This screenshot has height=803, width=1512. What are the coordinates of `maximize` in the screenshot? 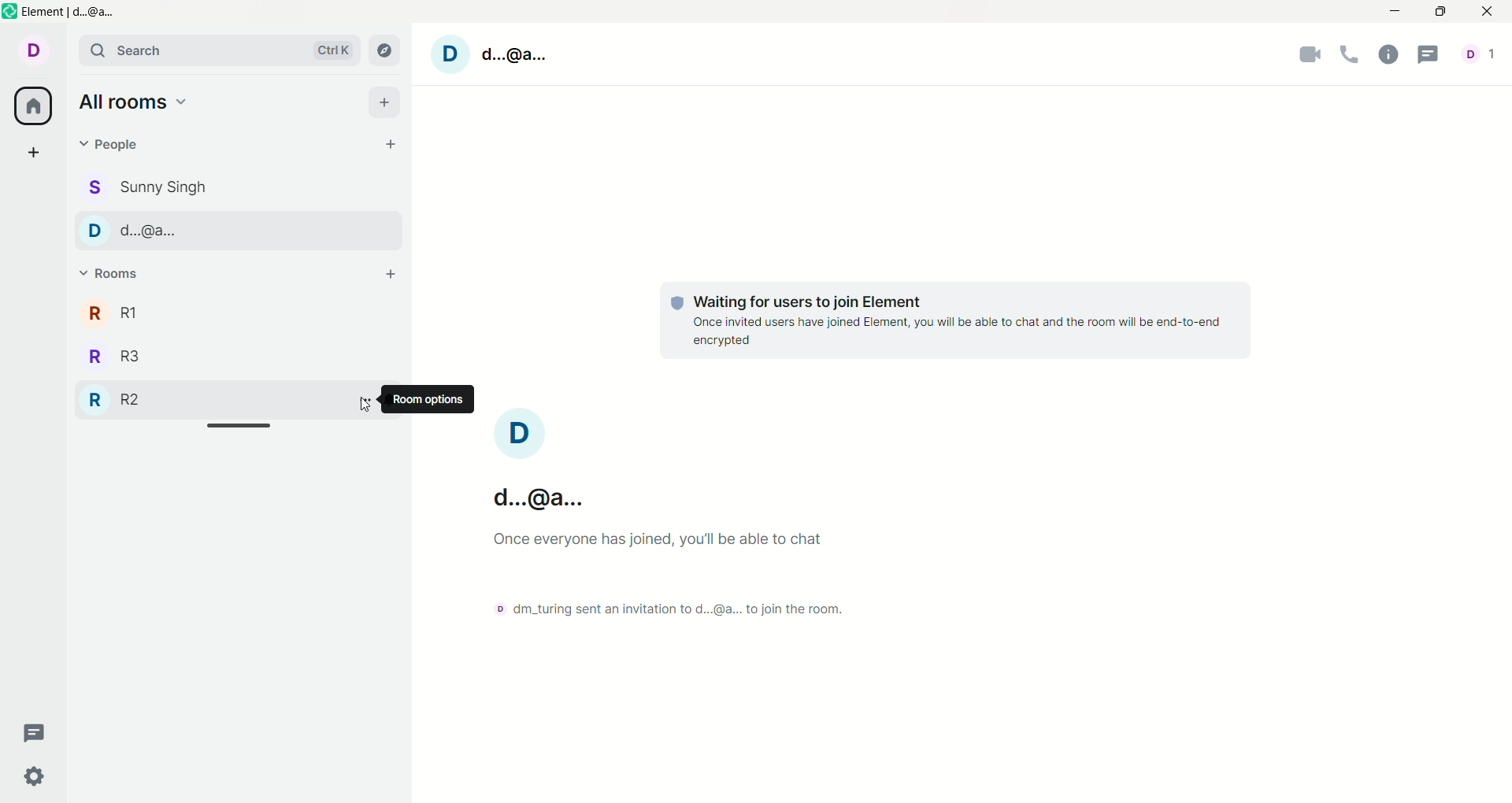 It's located at (1440, 11).